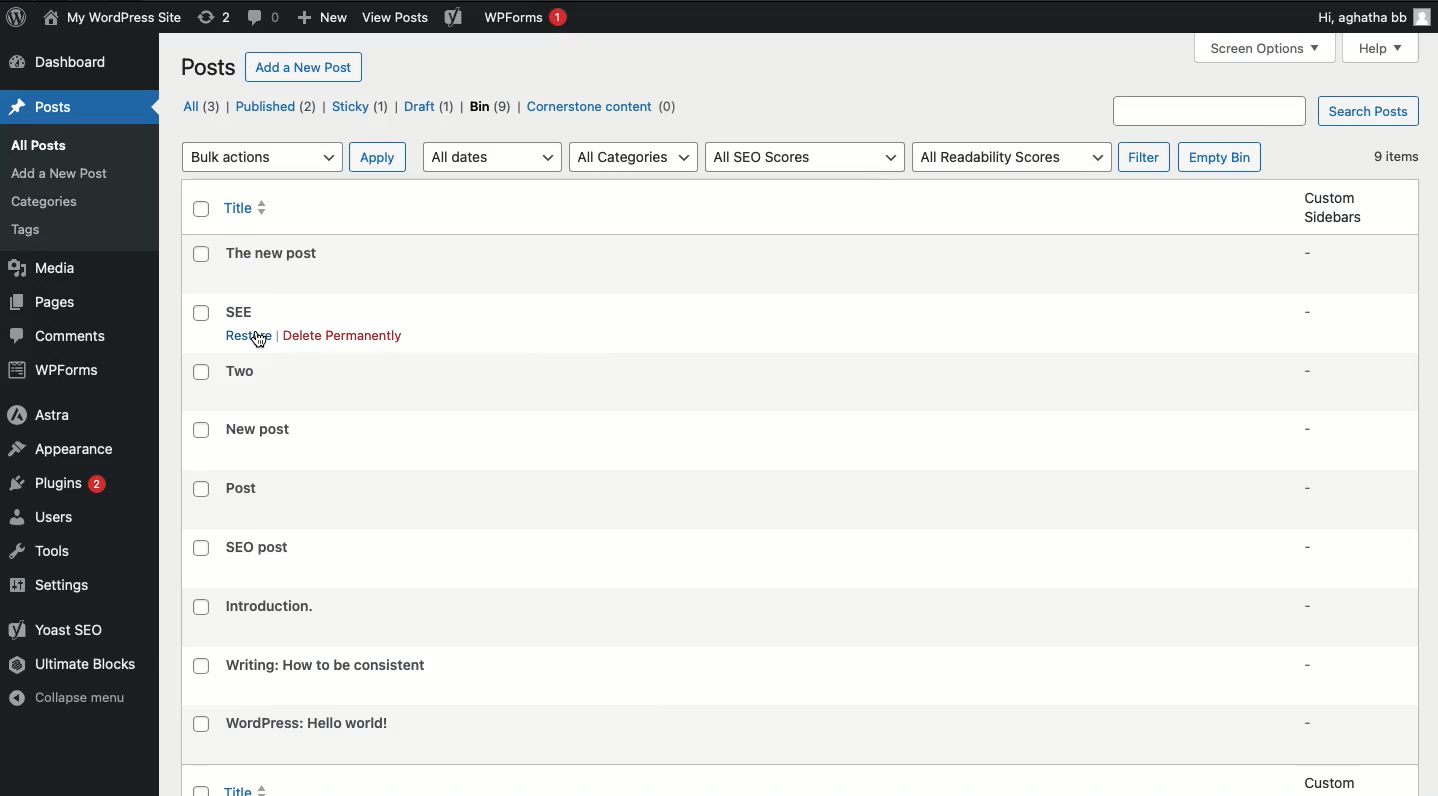  Describe the element at coordinates (46, 202) in the screenshot. I see `Category ` at that location.